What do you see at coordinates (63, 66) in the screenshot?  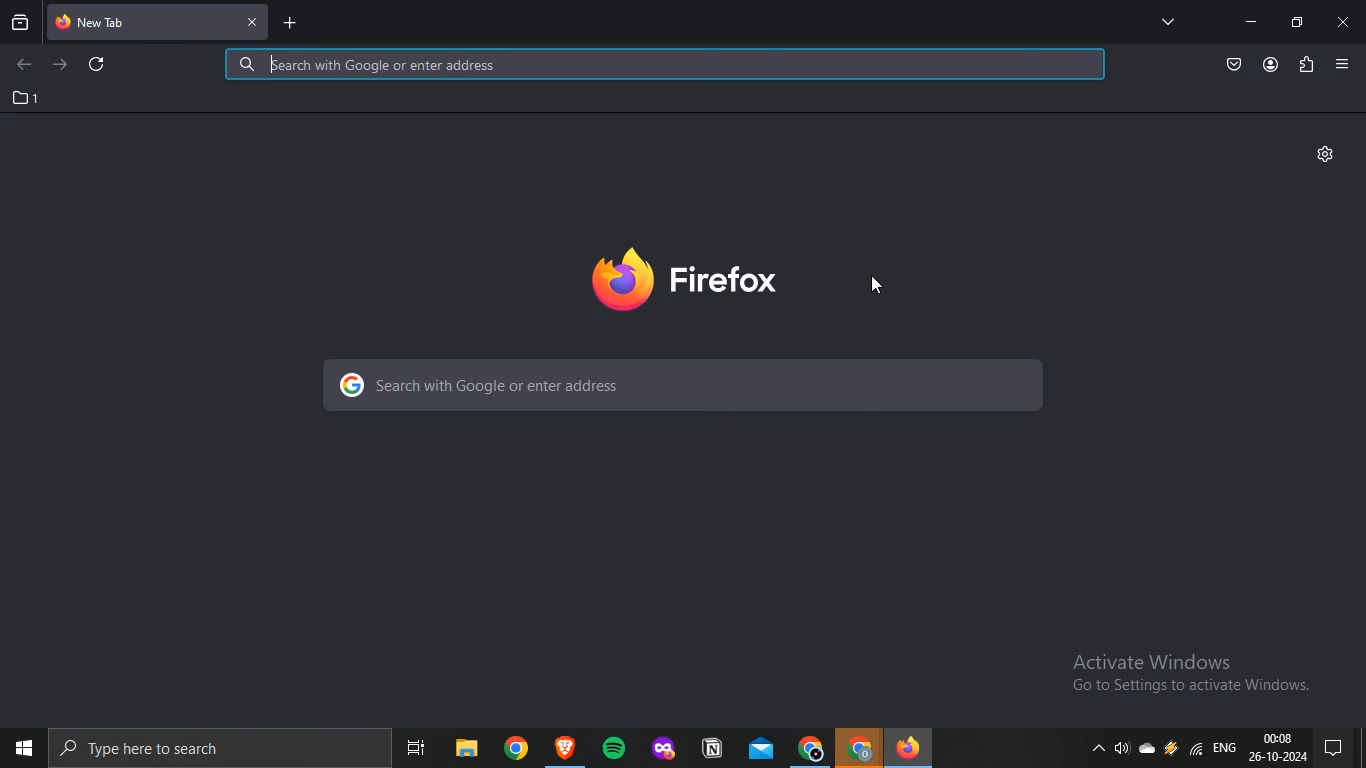 I see `forward` at bounding box center [63, 66].